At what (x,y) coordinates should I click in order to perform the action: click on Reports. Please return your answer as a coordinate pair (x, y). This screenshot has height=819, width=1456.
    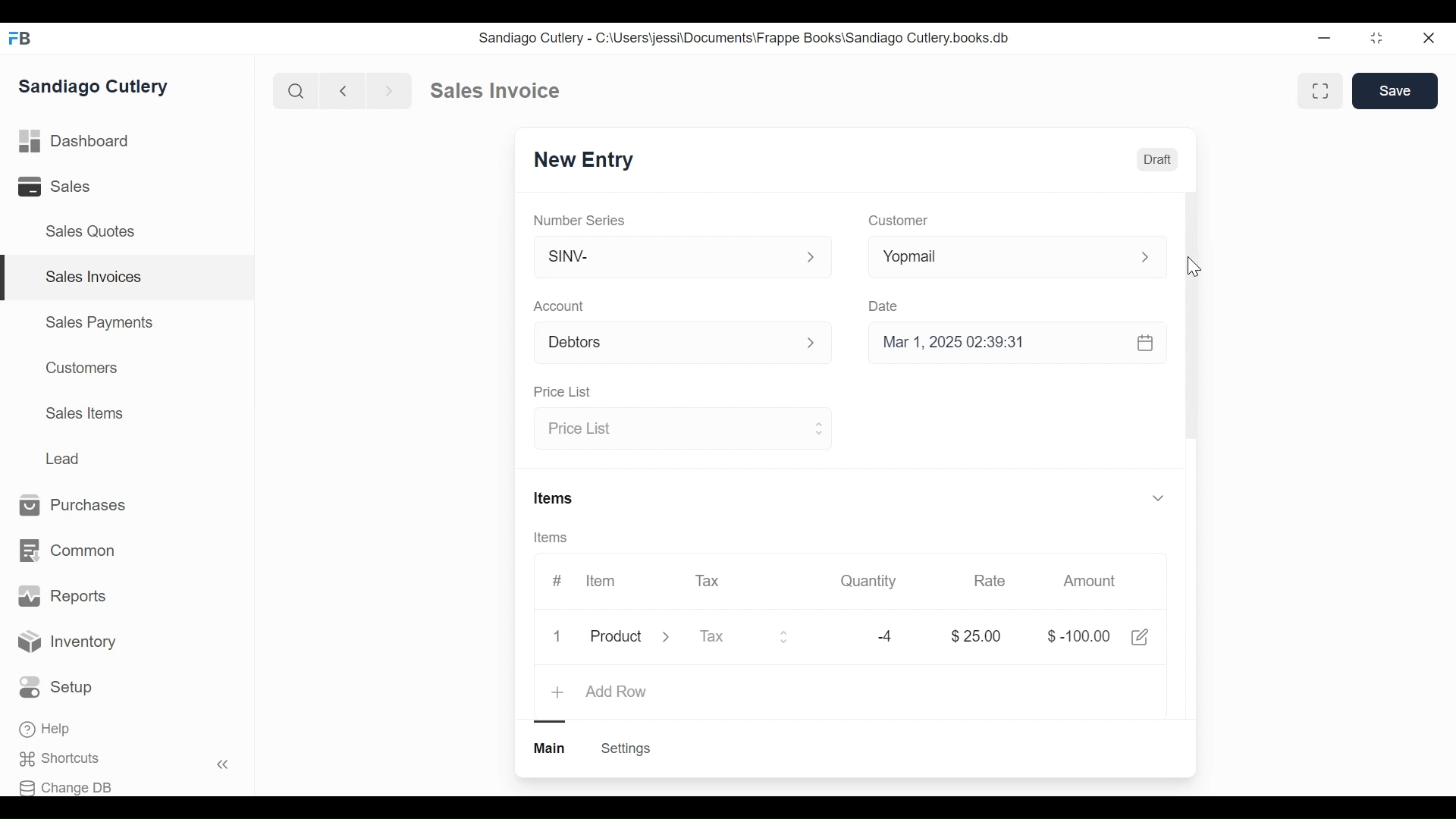
    Looking at the image, I should click on (60, 595).